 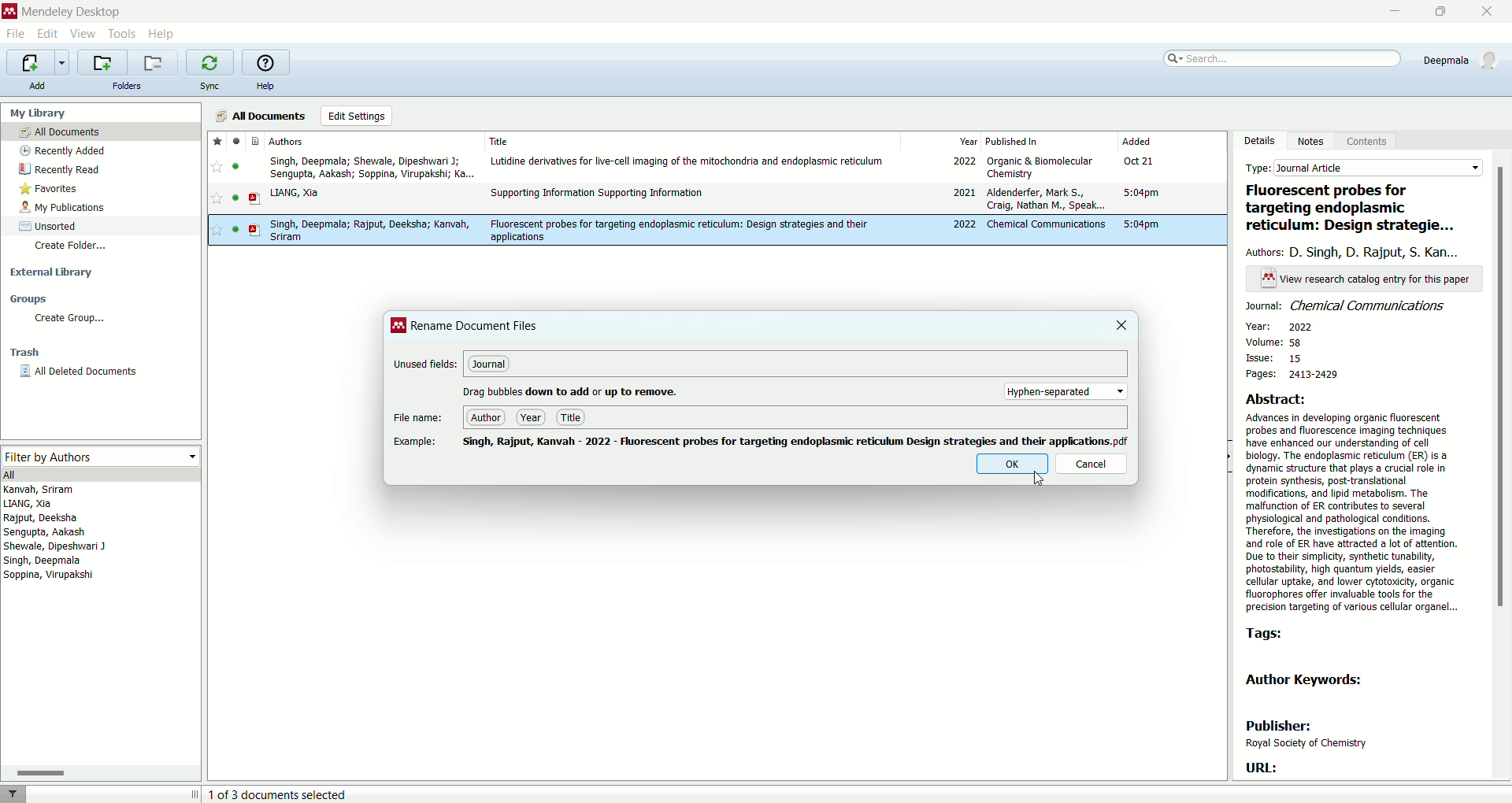 I want to click on Singh, Deepmala; Shewale, Dipeshwari J;
Sengupta, Aakash; Soppina, Virupakshi; Ka..., so click(x=369, y=167).